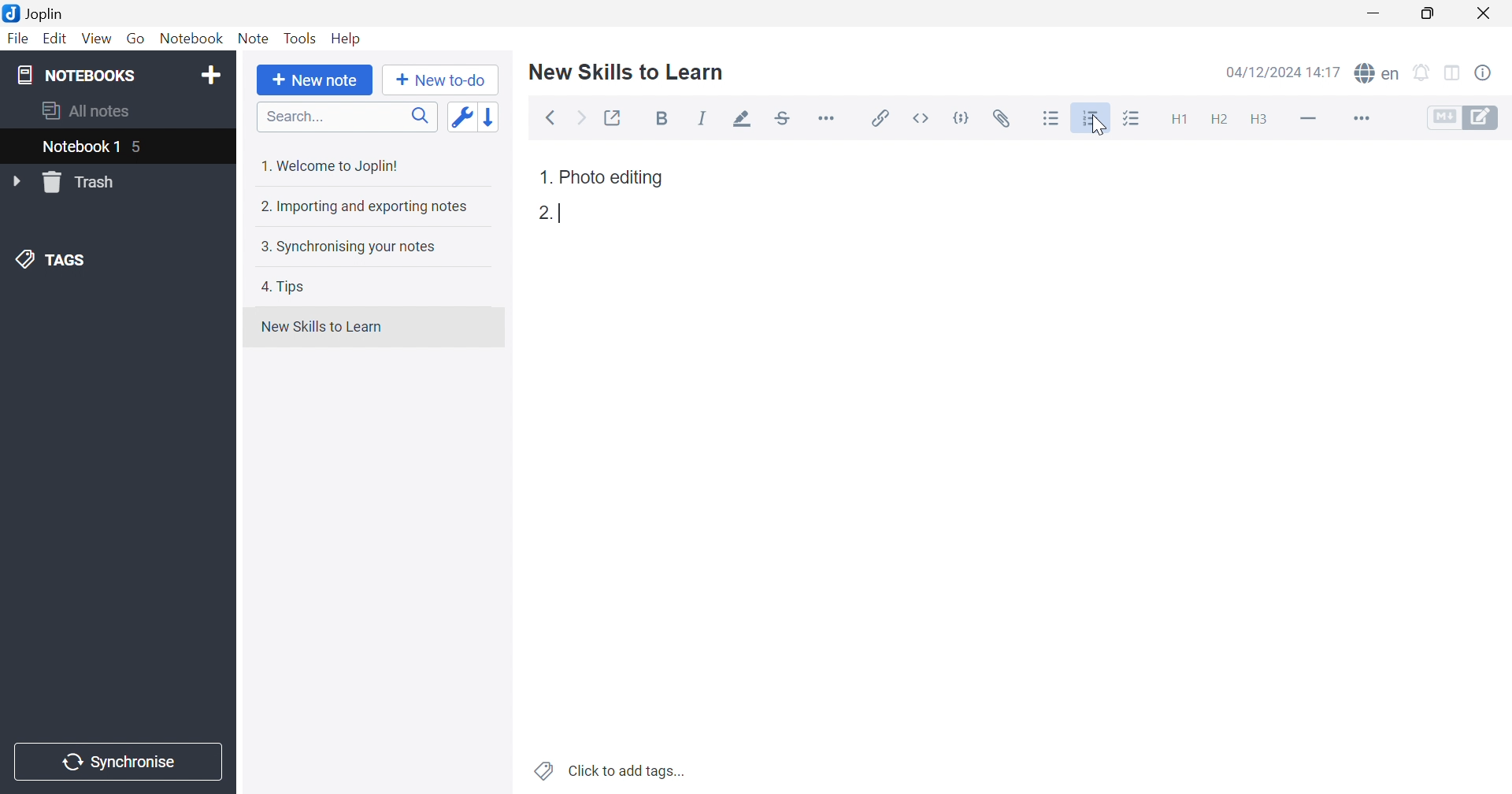 The image size is (1512, 794). I want to click on 04/12/2024, so click(1265, 74).